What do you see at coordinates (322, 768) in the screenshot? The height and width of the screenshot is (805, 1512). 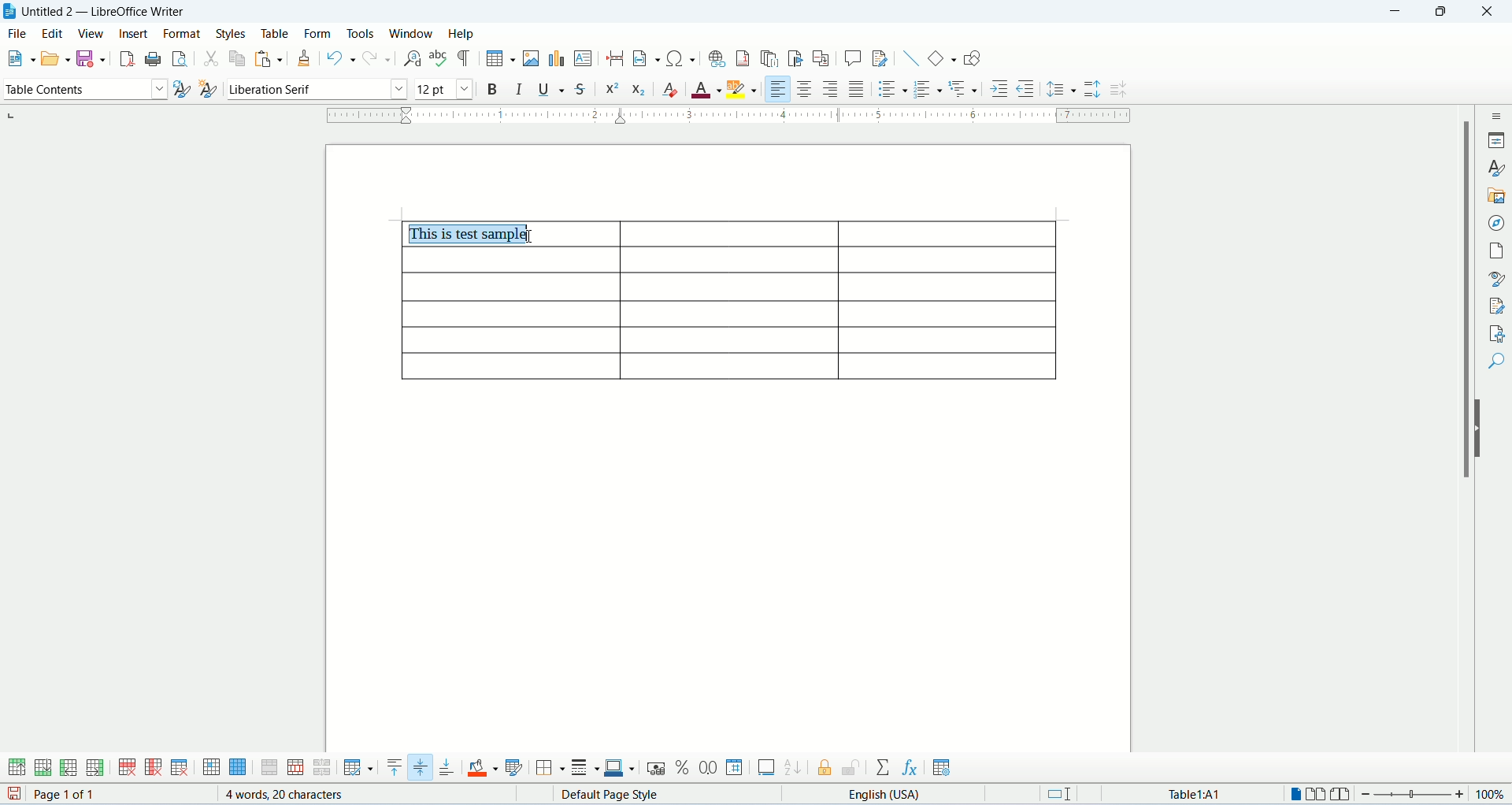 I see `split table` at bounding box center [322, 768].